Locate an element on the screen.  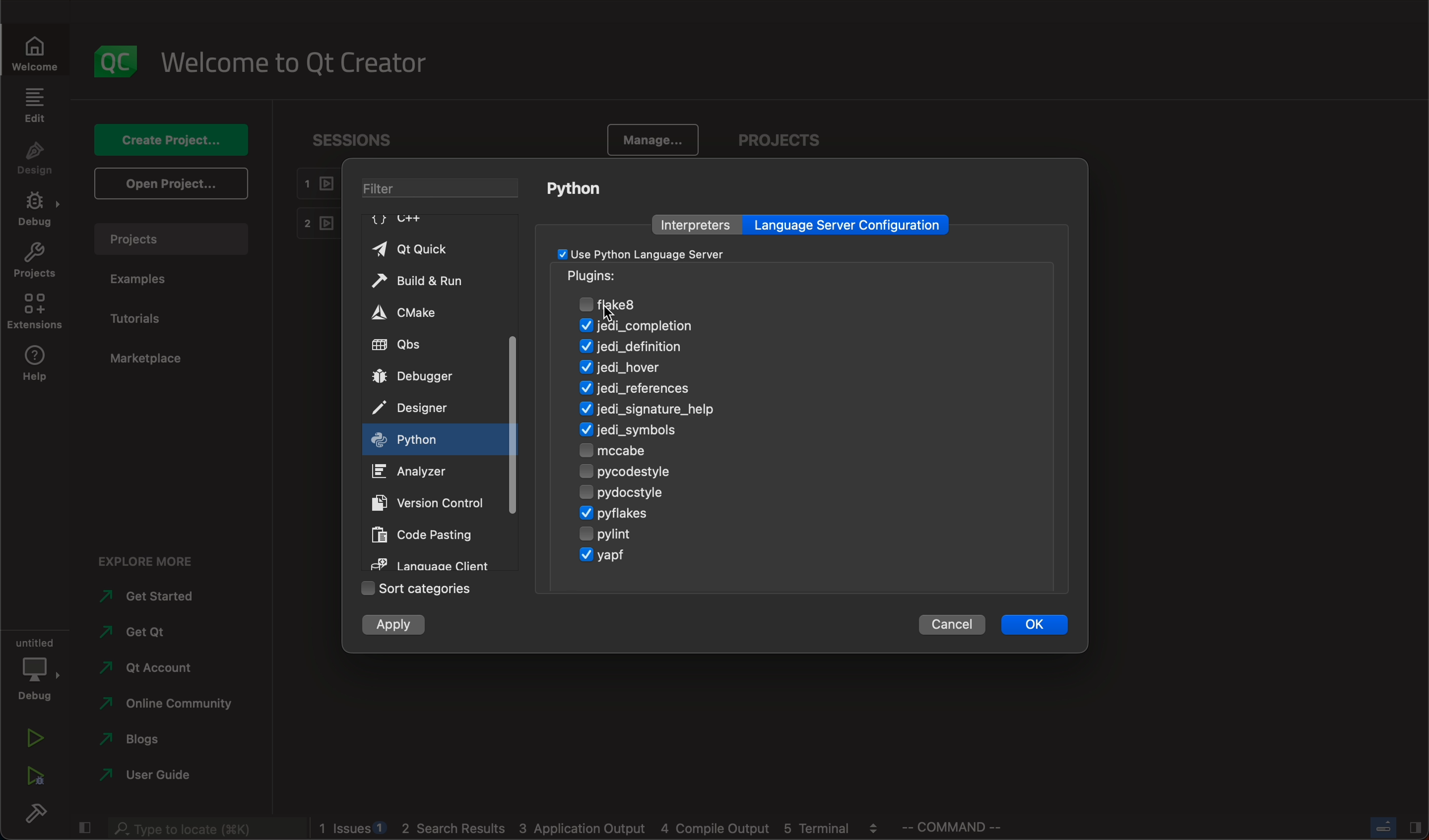
sessions is located at coordinates (363, 141).